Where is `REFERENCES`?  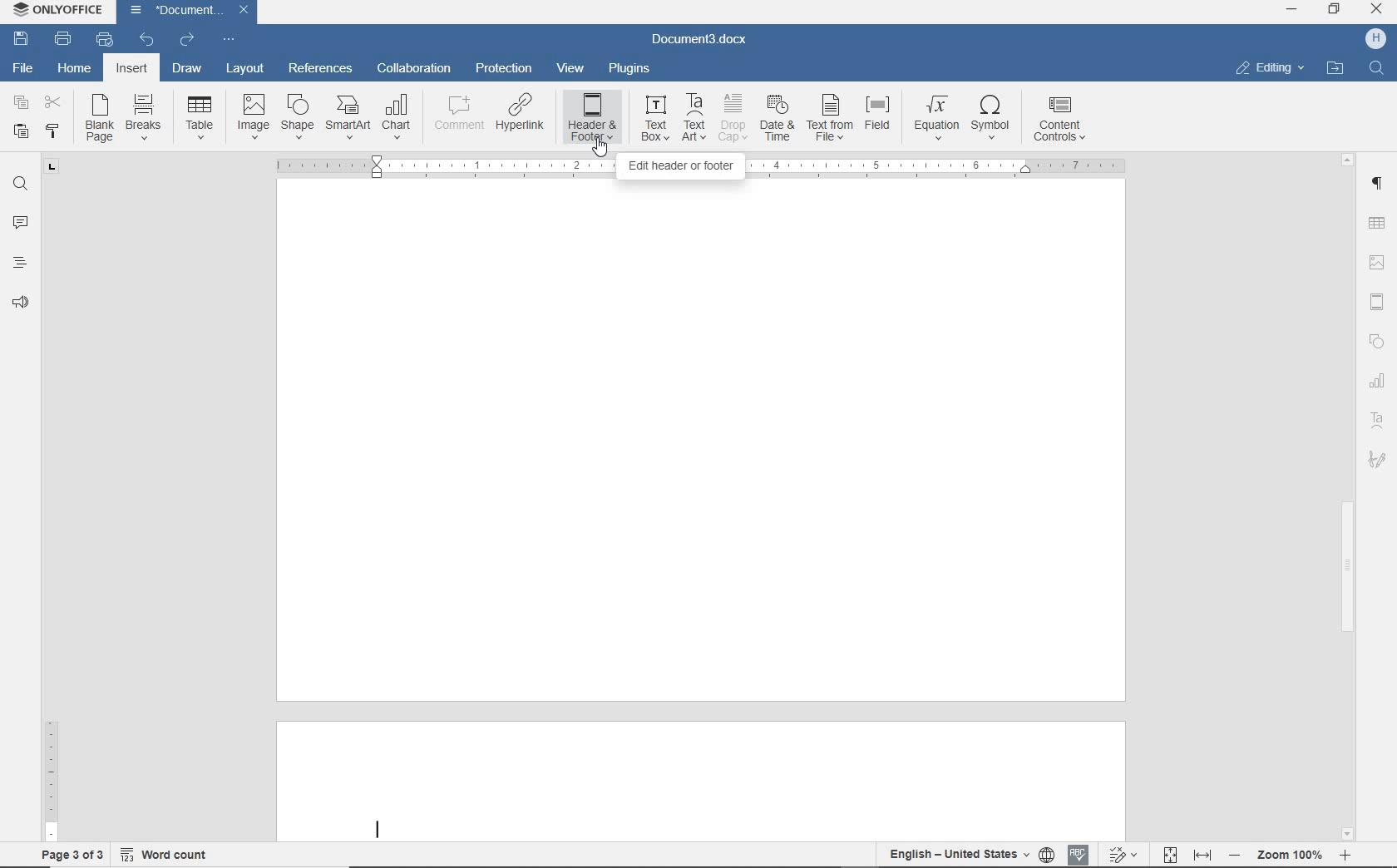
REFERENCES is located at coordinates (320, 69).